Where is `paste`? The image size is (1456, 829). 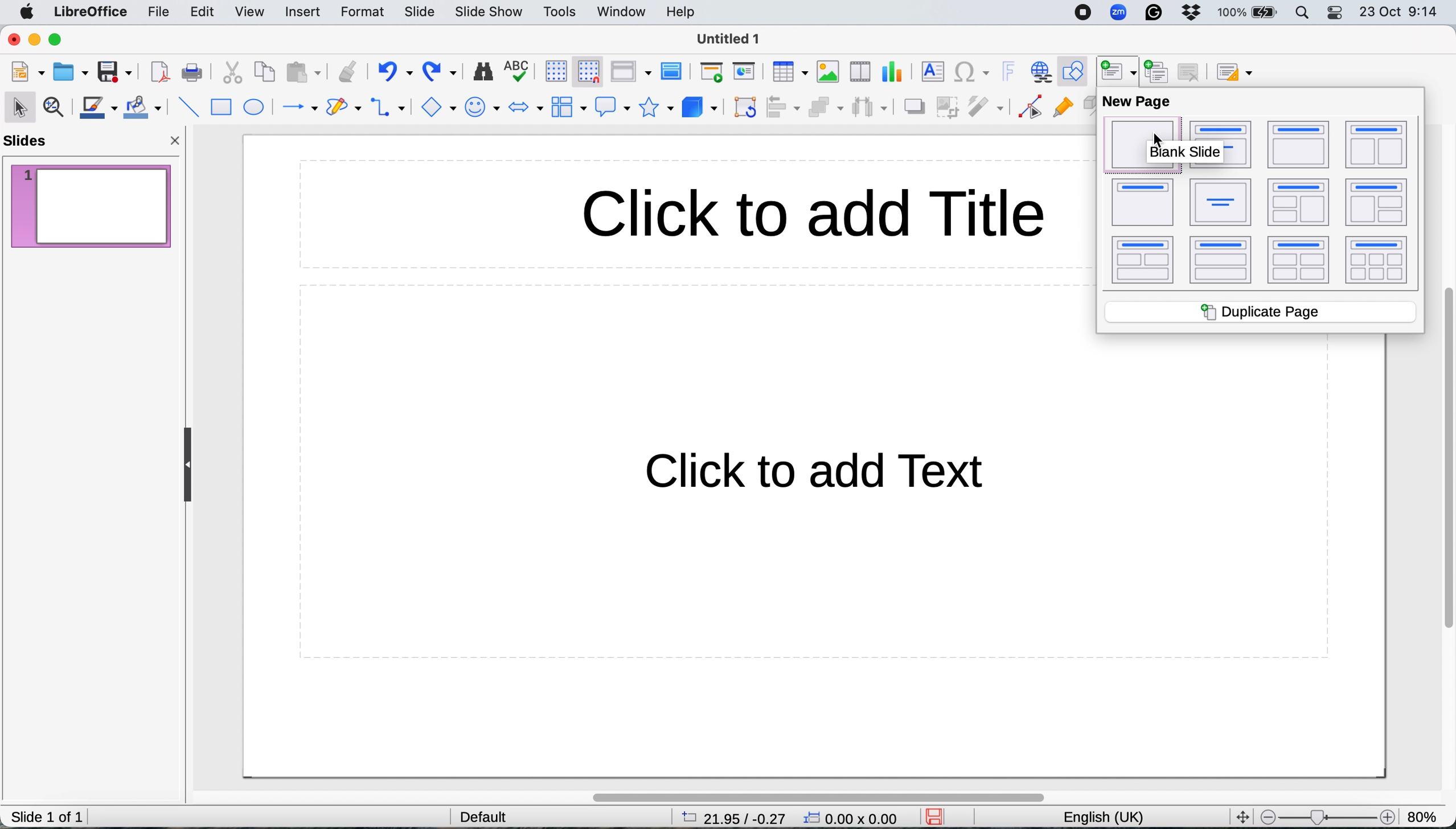
paste is located at coordinates (304, 72).